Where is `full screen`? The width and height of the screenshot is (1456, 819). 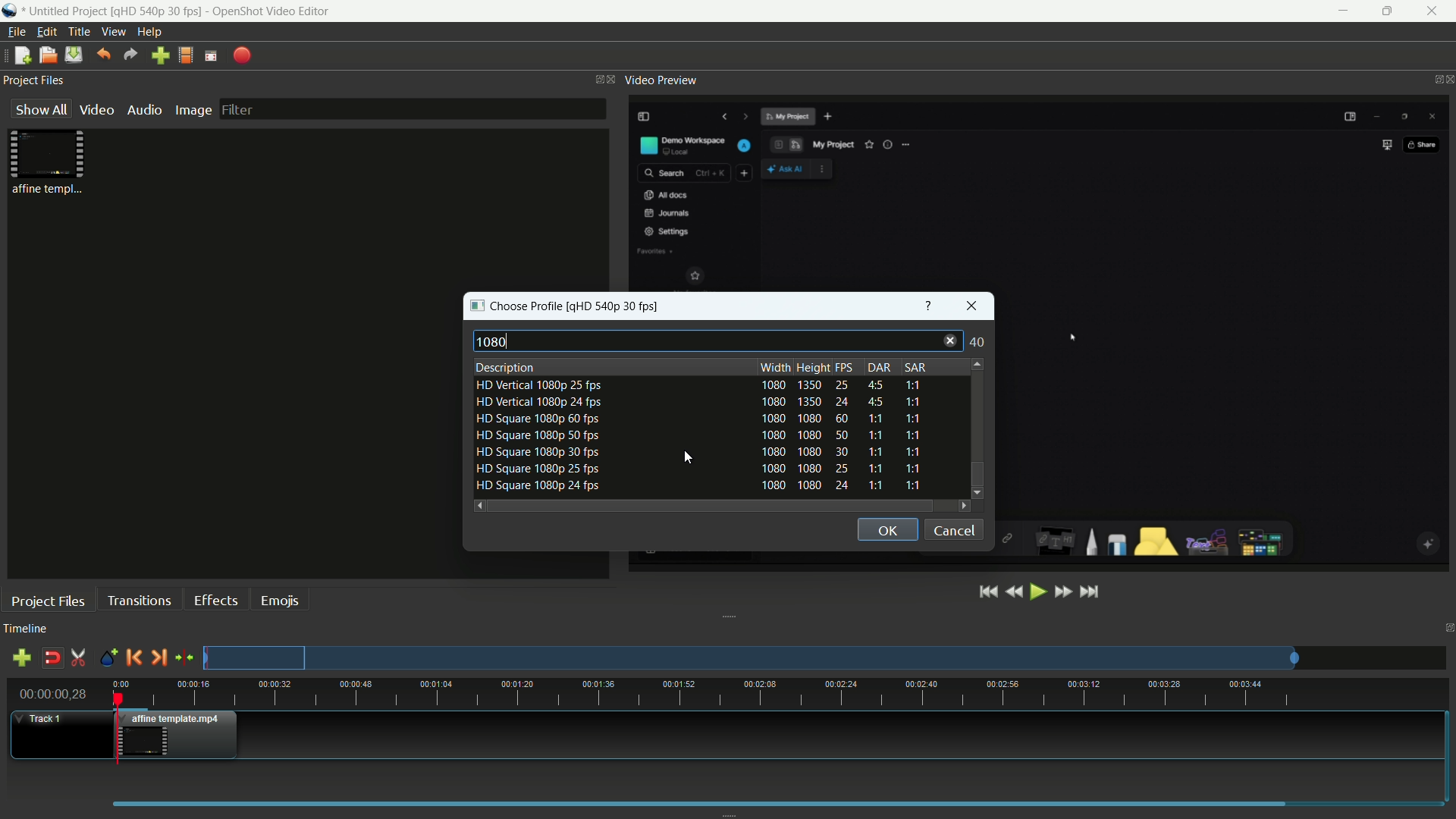 full screen is located at coordinates (211, 55).